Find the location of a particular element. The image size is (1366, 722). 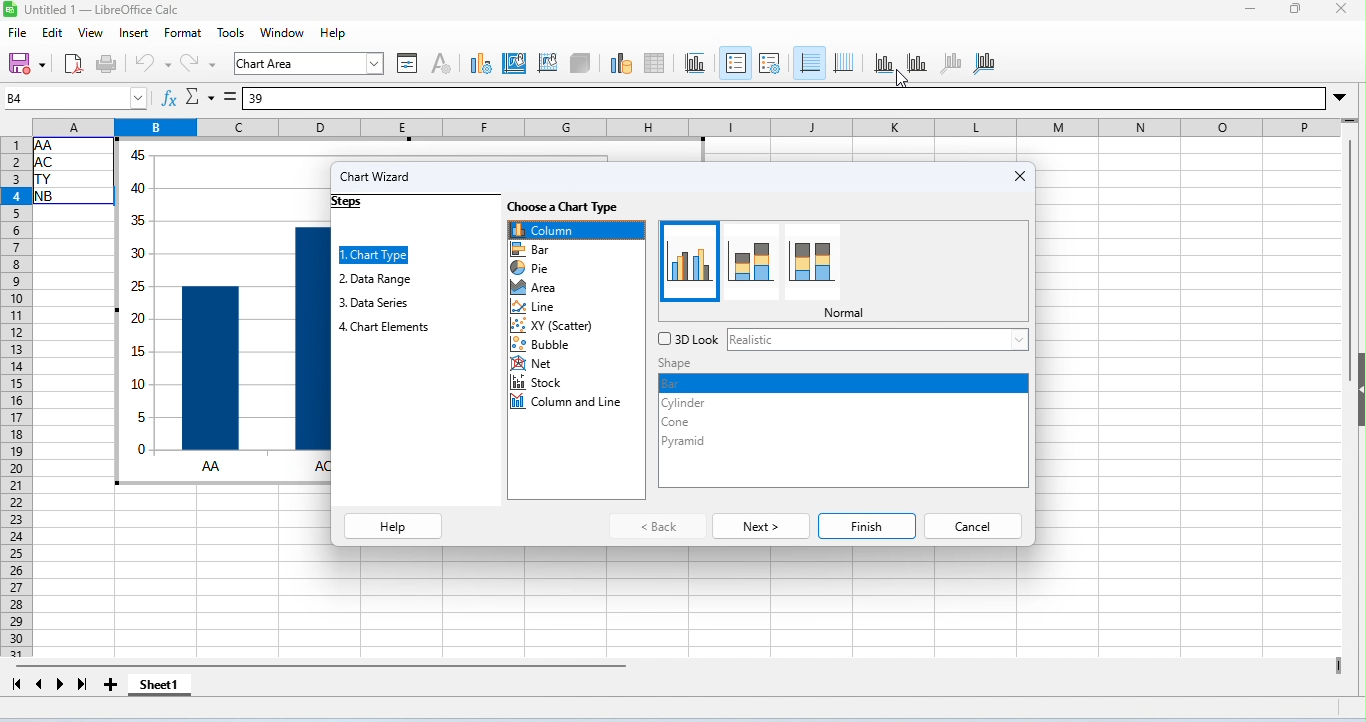

row numbers is located at coordinates (17, 398).